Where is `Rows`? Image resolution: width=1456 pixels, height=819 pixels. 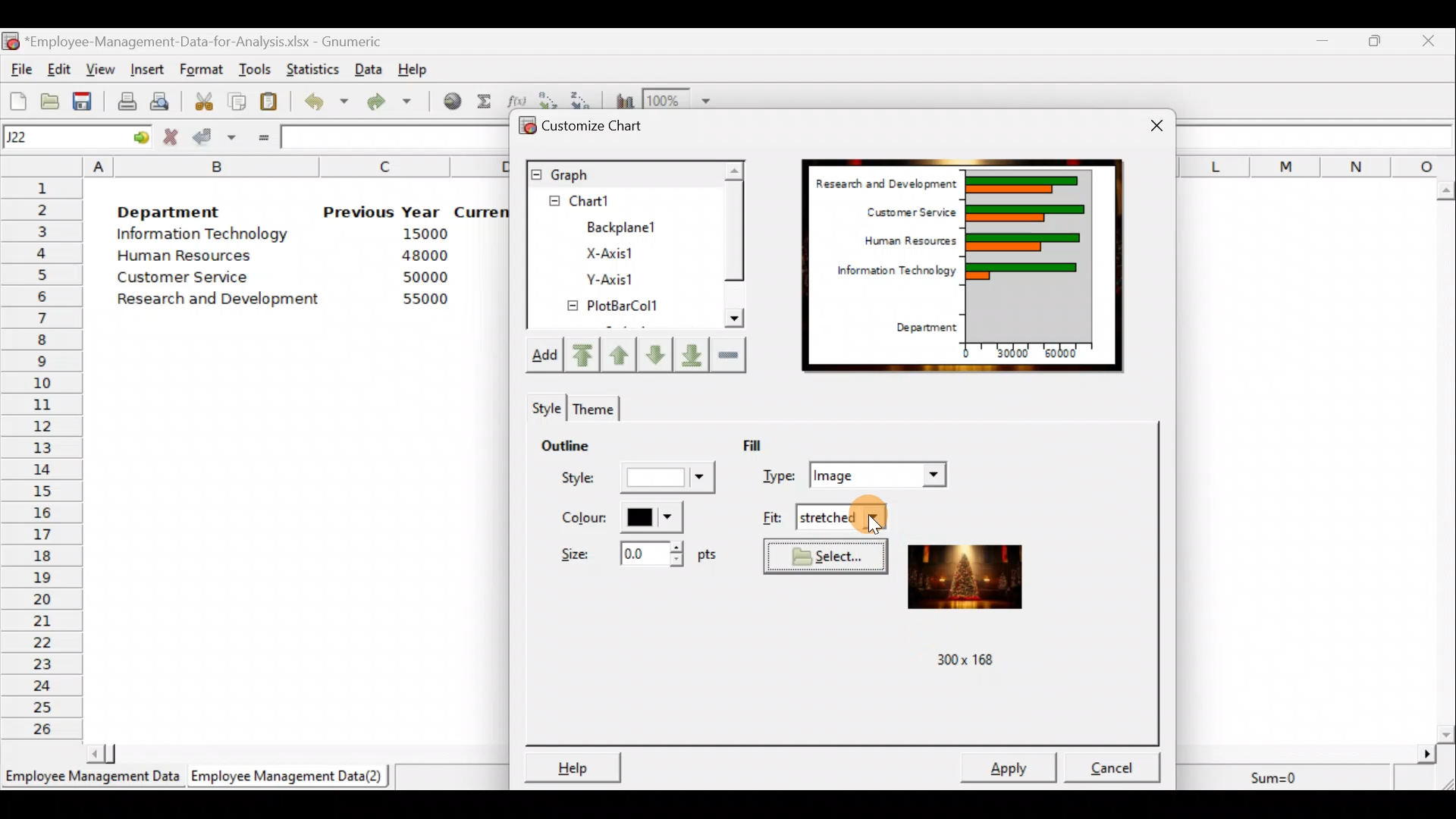
Rows is located at coordinates (42, 460).